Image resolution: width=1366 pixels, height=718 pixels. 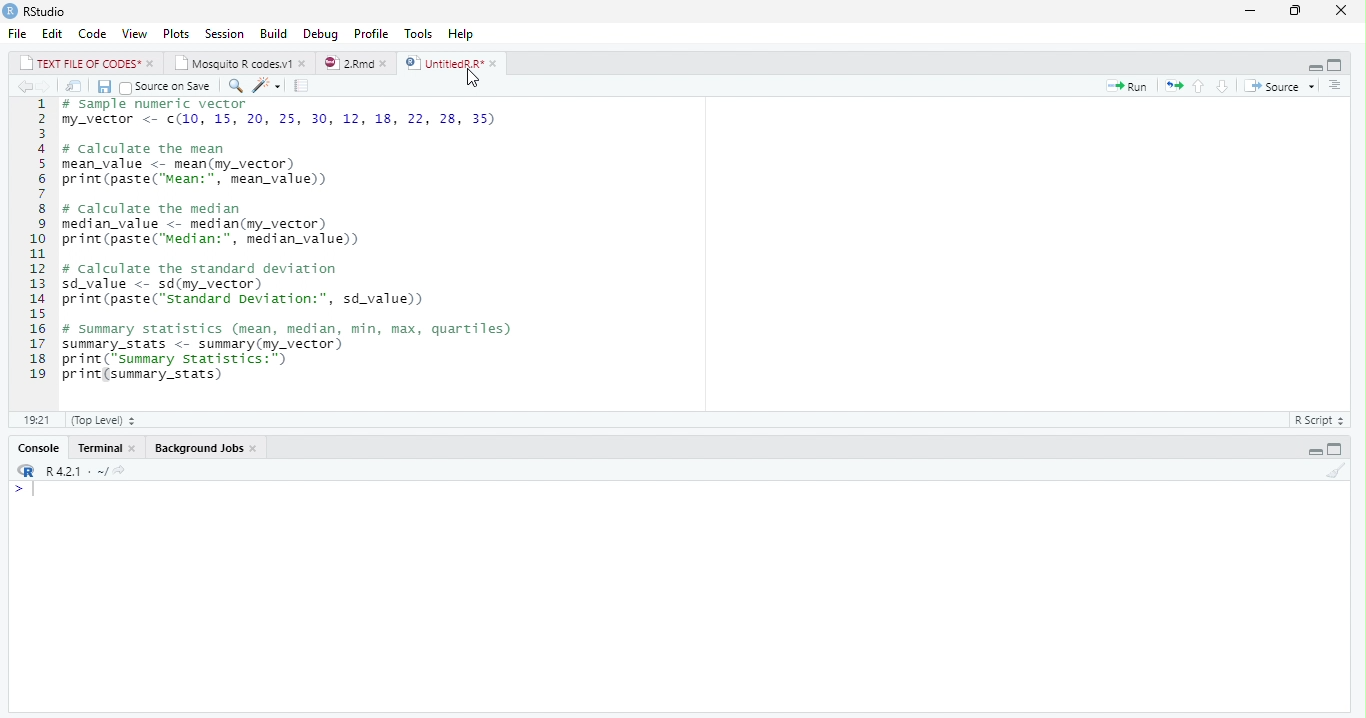 I want to click on R Script, so click(x=1317, y=421).